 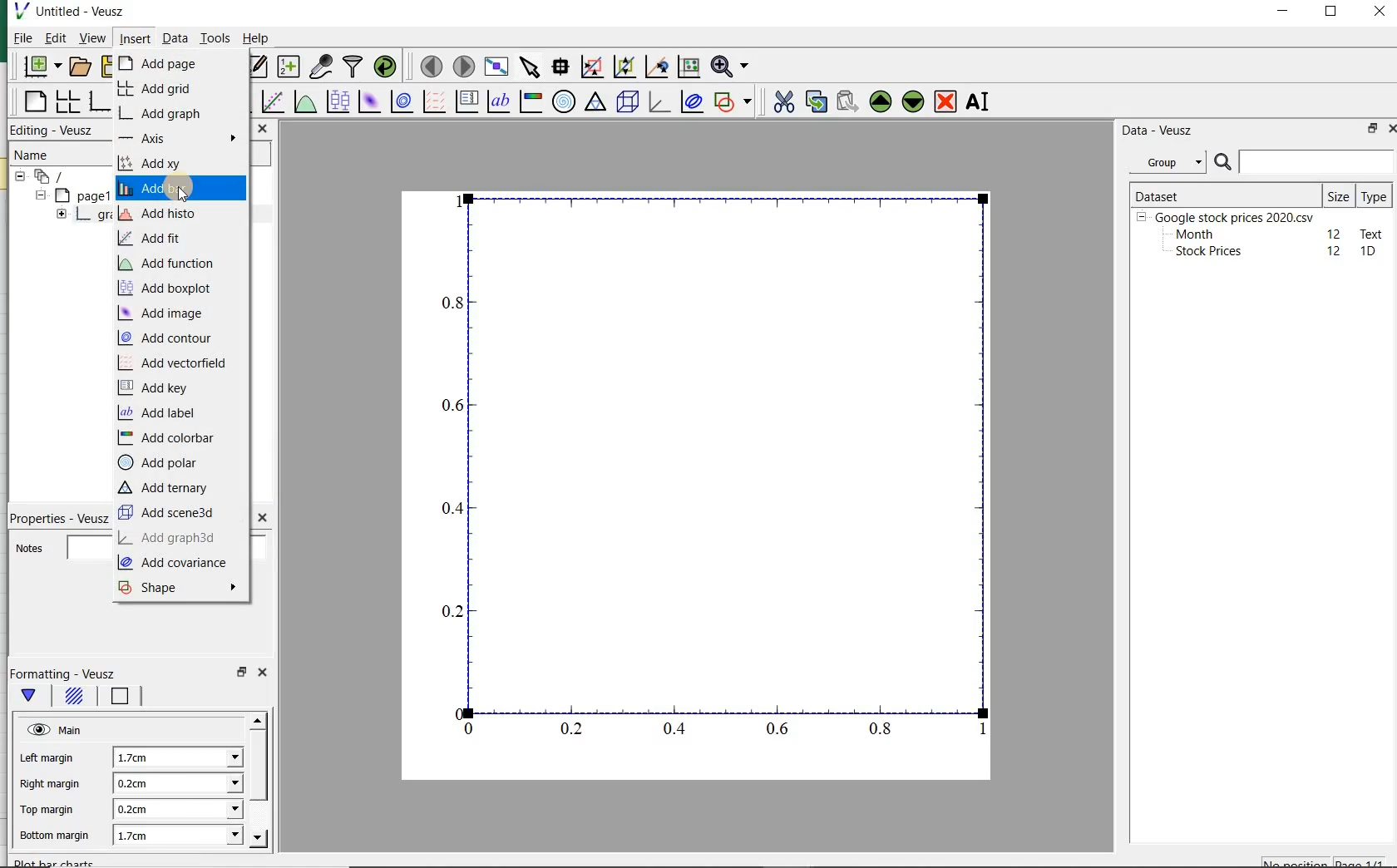 I want to click on Editing - Veusz, so click(x=52, y=130).